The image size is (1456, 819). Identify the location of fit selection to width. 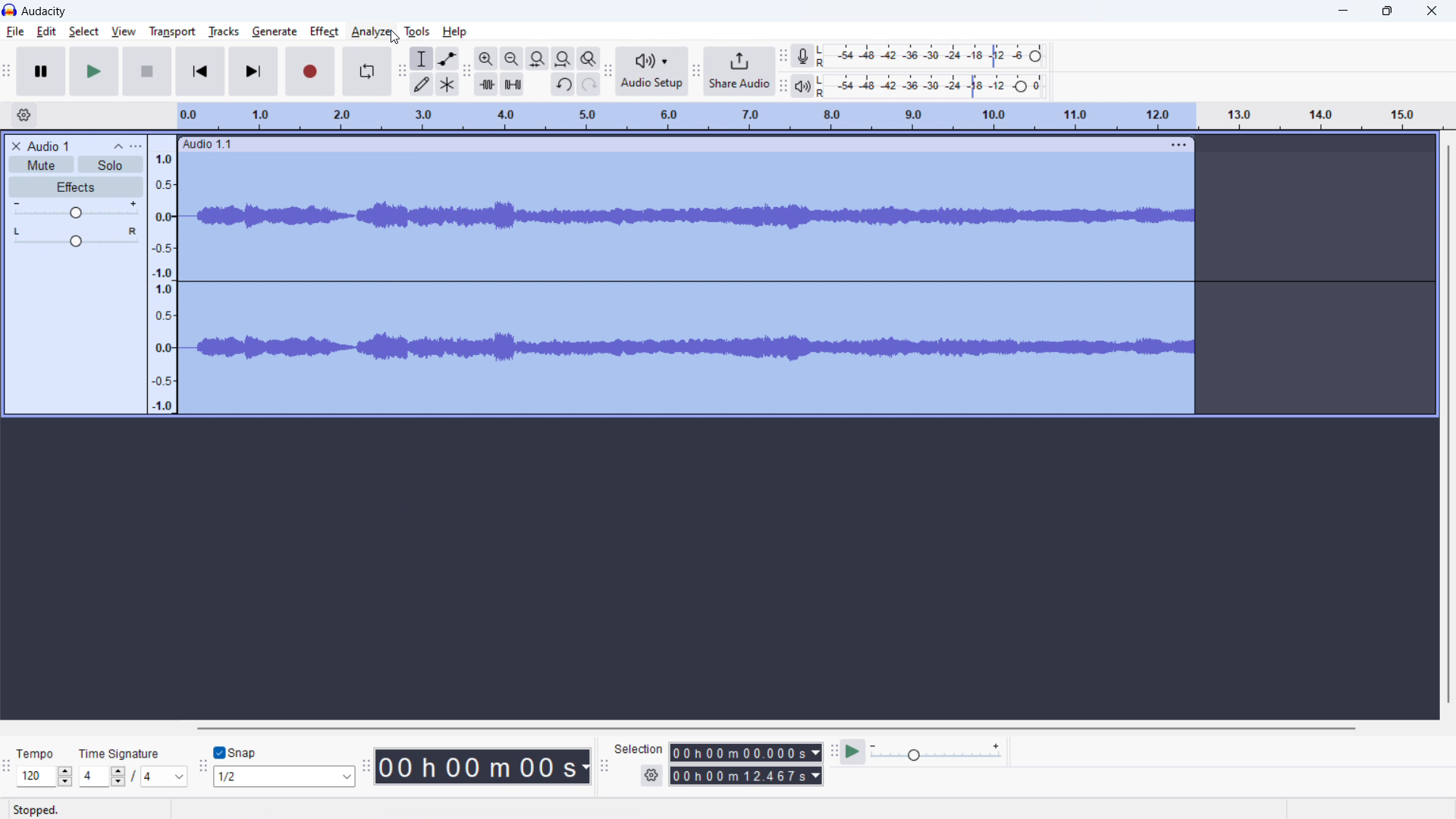
(538, 58).